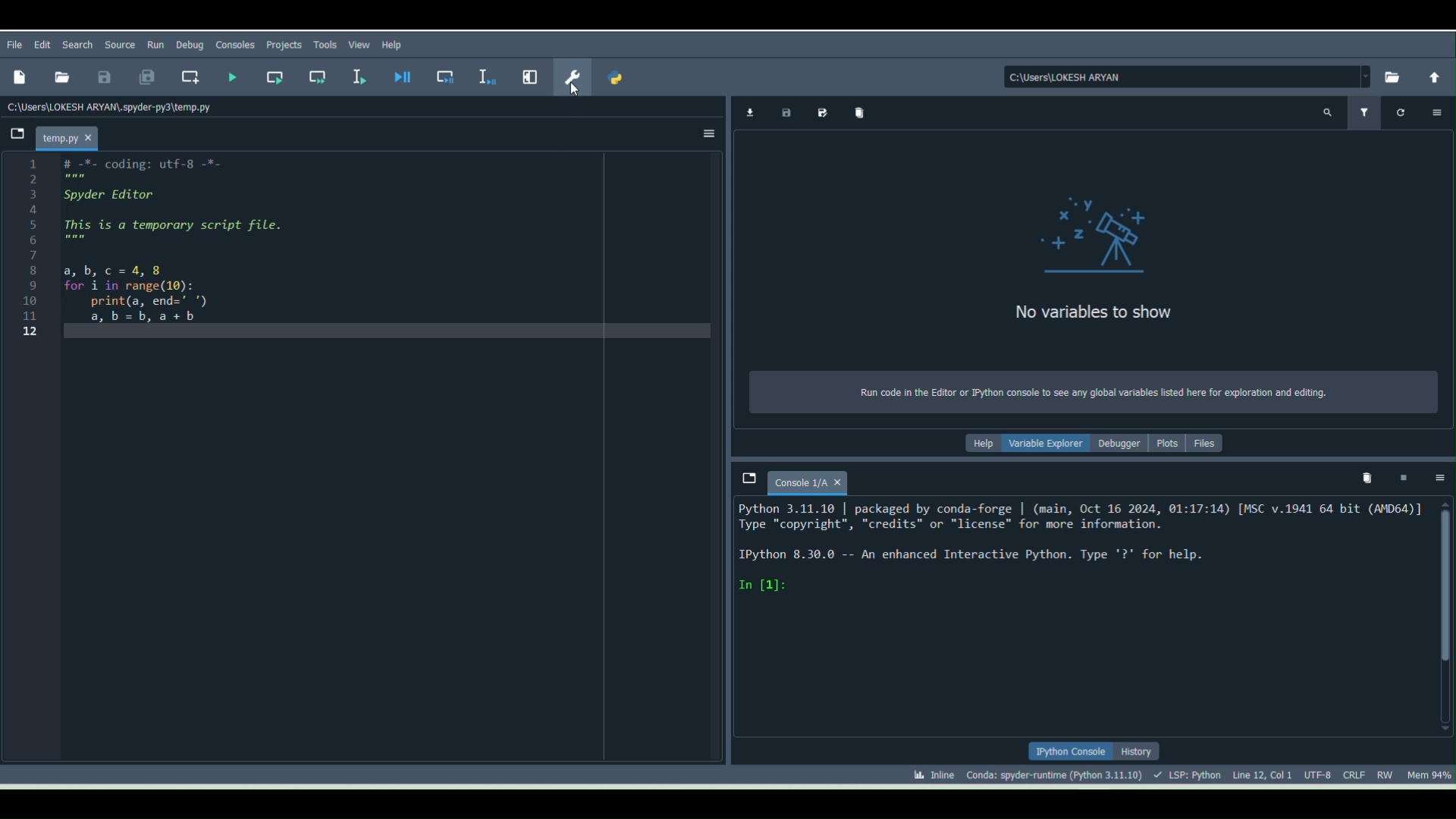  Describe the element at coordinates (1121, 443) in the screenshot. I see `Debugger` at that location.